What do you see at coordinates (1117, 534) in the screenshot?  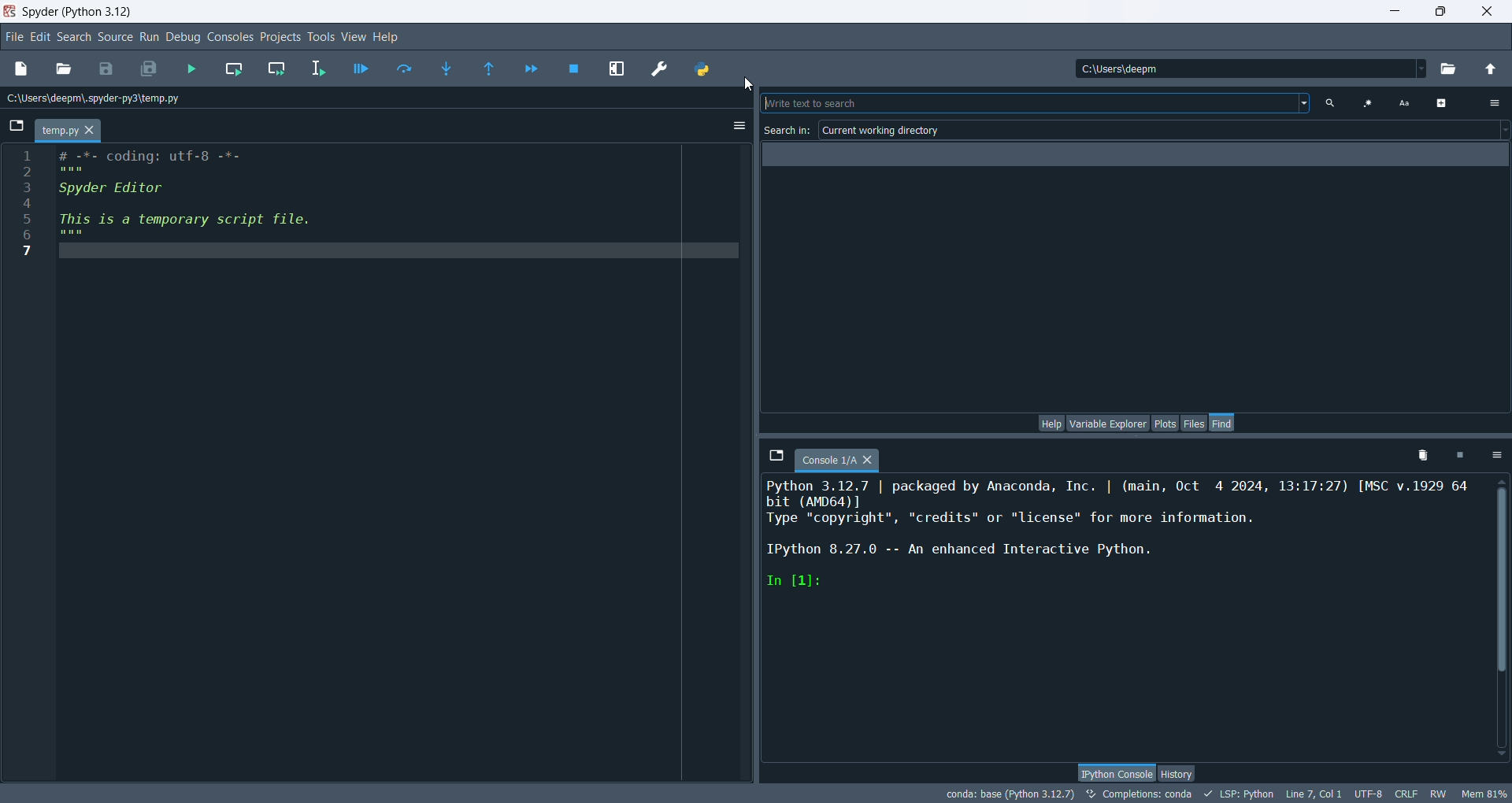 I see `ipython console pane text` at bounding box center [1117, 534].